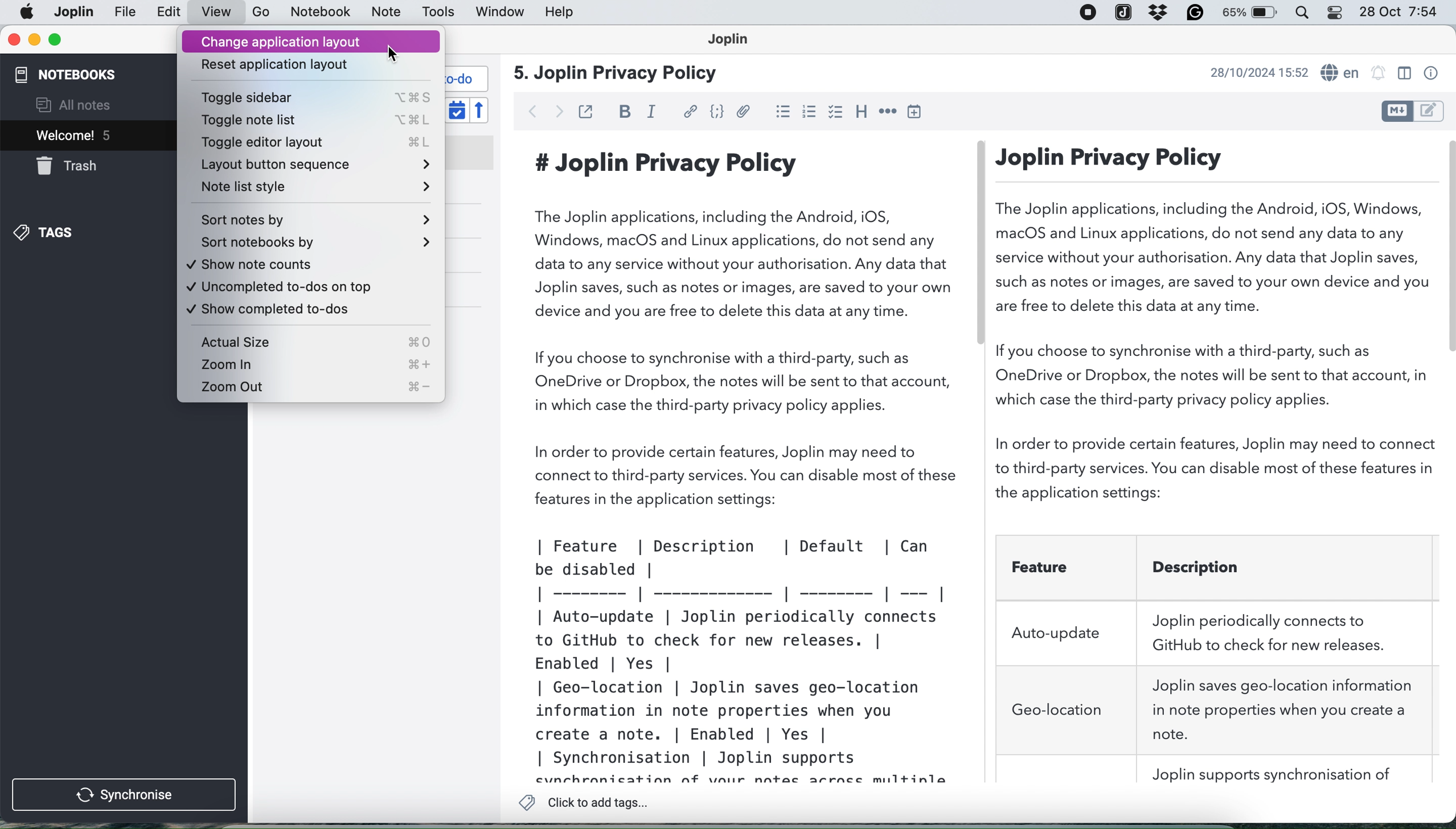 This screenshot has width=1456, height=829. What do you see at coordinates (439, 13) in the screenshot?
I see `tools` at bounding box center [439, 13].